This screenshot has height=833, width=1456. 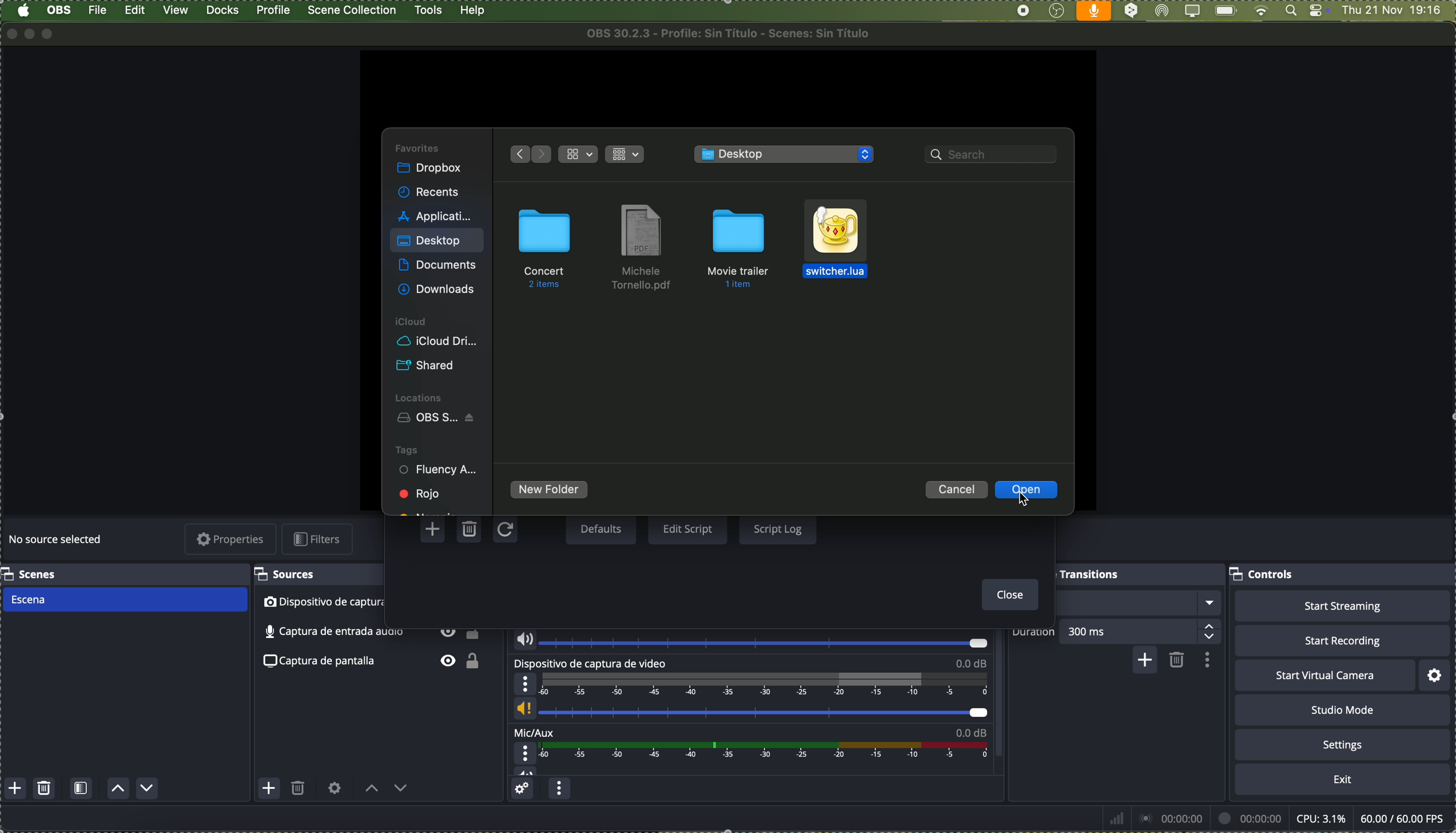 I want to click on start streaming, so click(x=1342, y=606).